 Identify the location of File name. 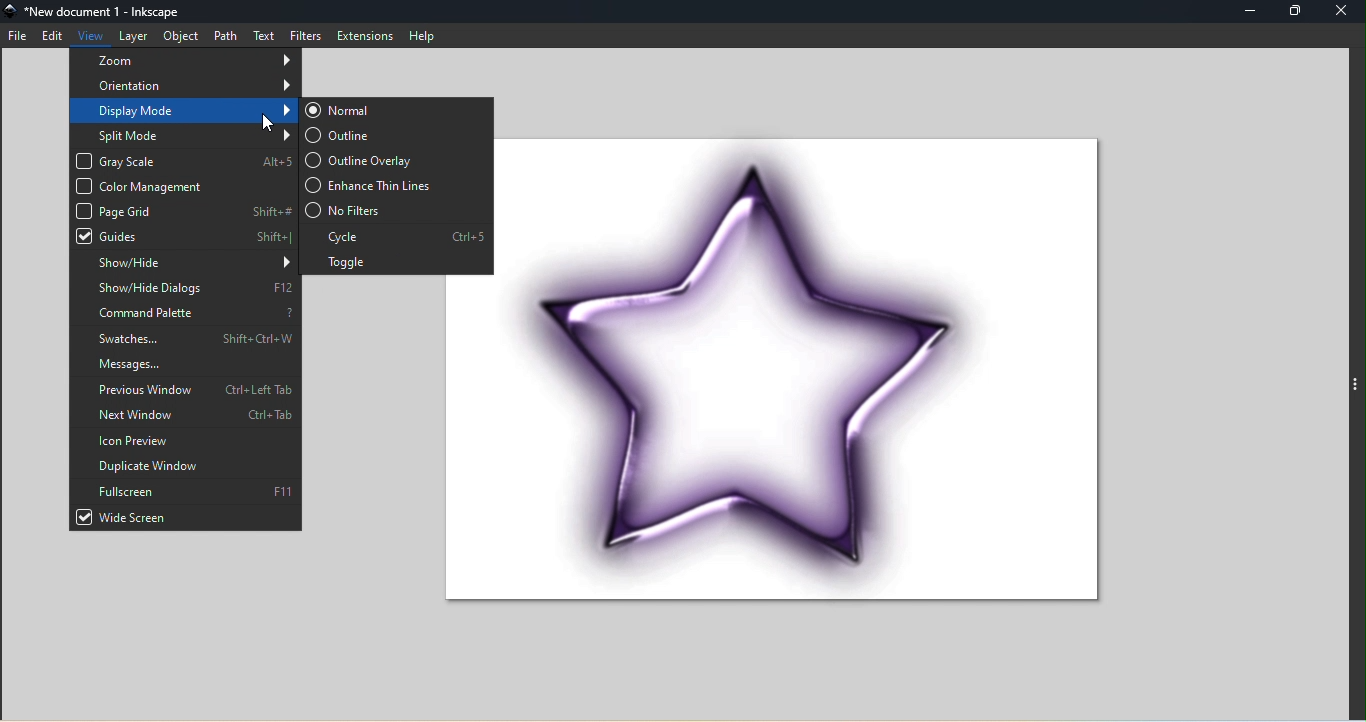
(111, 12).